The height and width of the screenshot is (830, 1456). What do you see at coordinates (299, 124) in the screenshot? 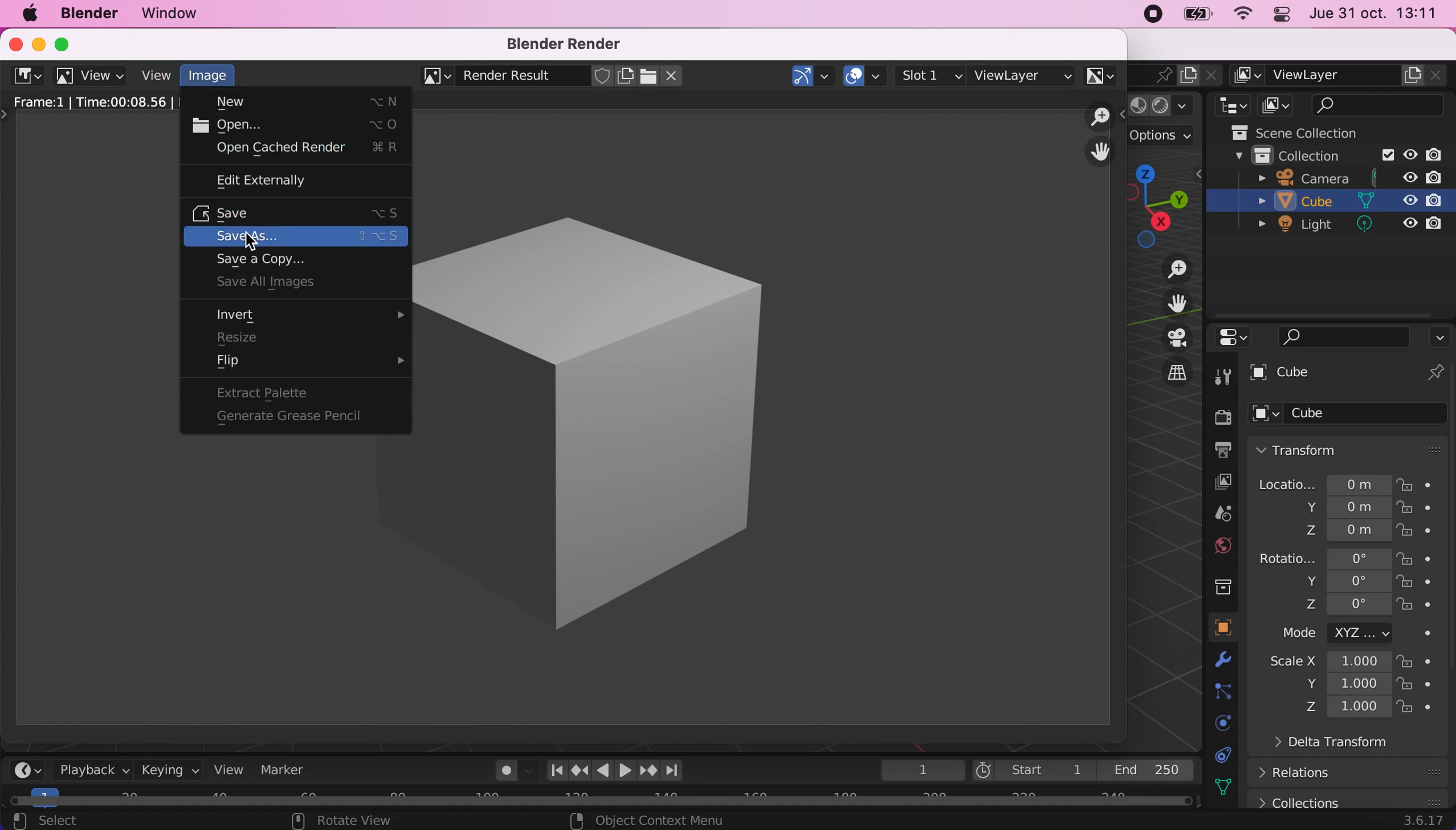
I see `open` at bounding box center [299, 124].